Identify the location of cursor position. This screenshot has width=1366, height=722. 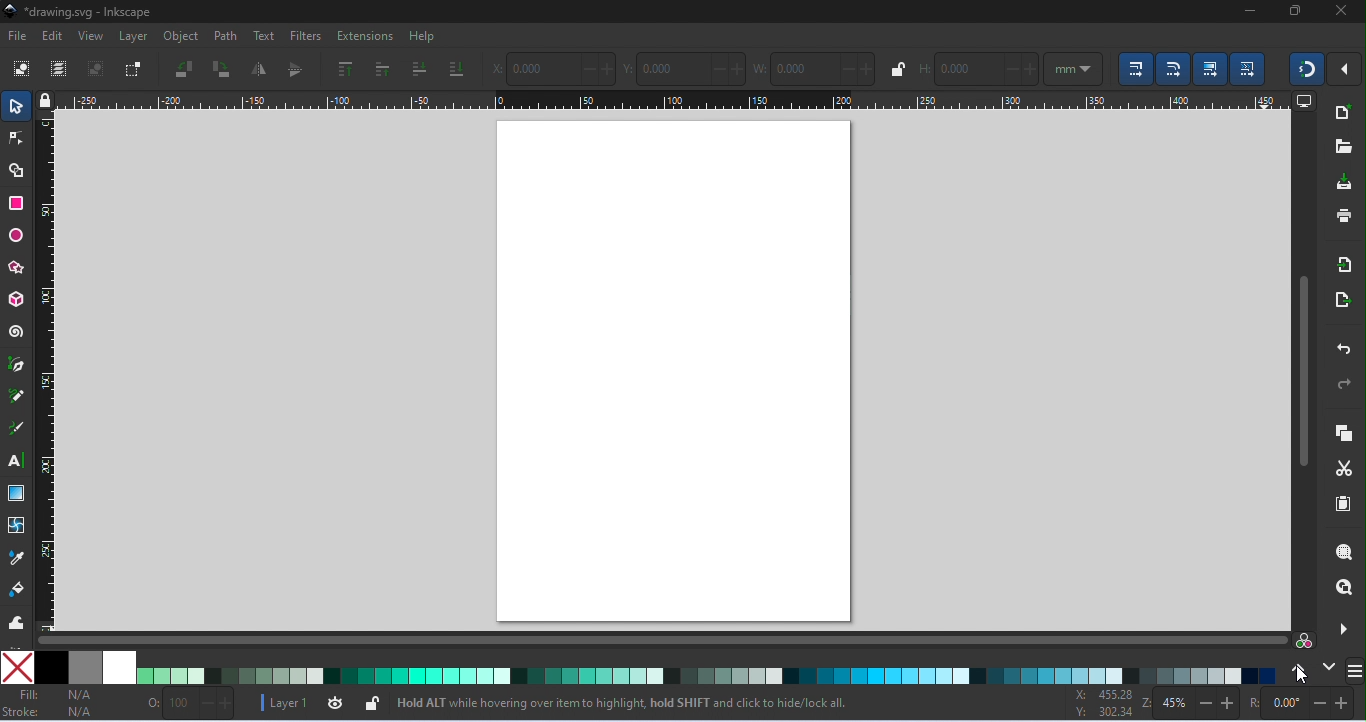
(1104, 704).